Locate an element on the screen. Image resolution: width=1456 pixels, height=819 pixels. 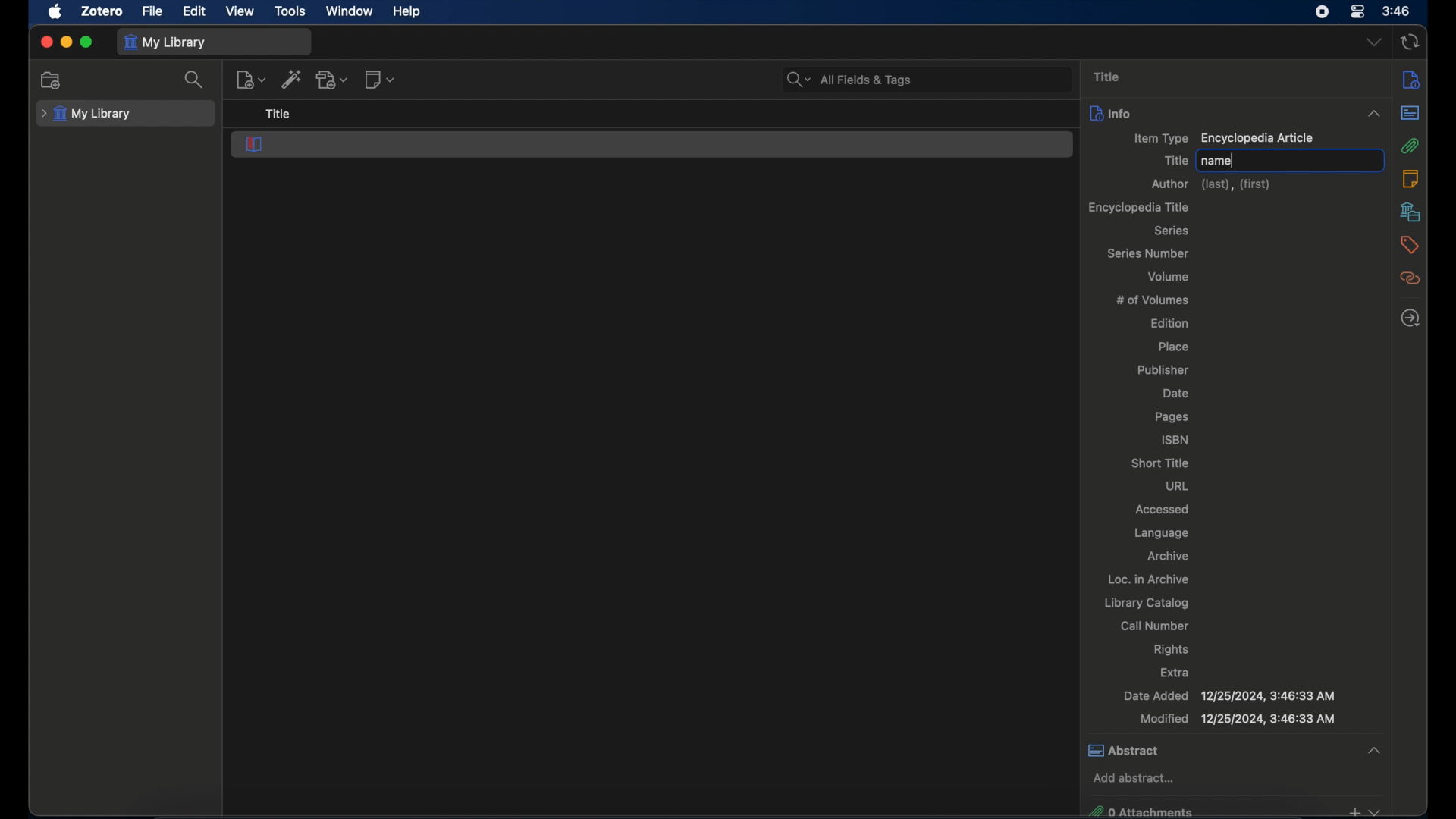
rights is located at coordinates (1174, 649).